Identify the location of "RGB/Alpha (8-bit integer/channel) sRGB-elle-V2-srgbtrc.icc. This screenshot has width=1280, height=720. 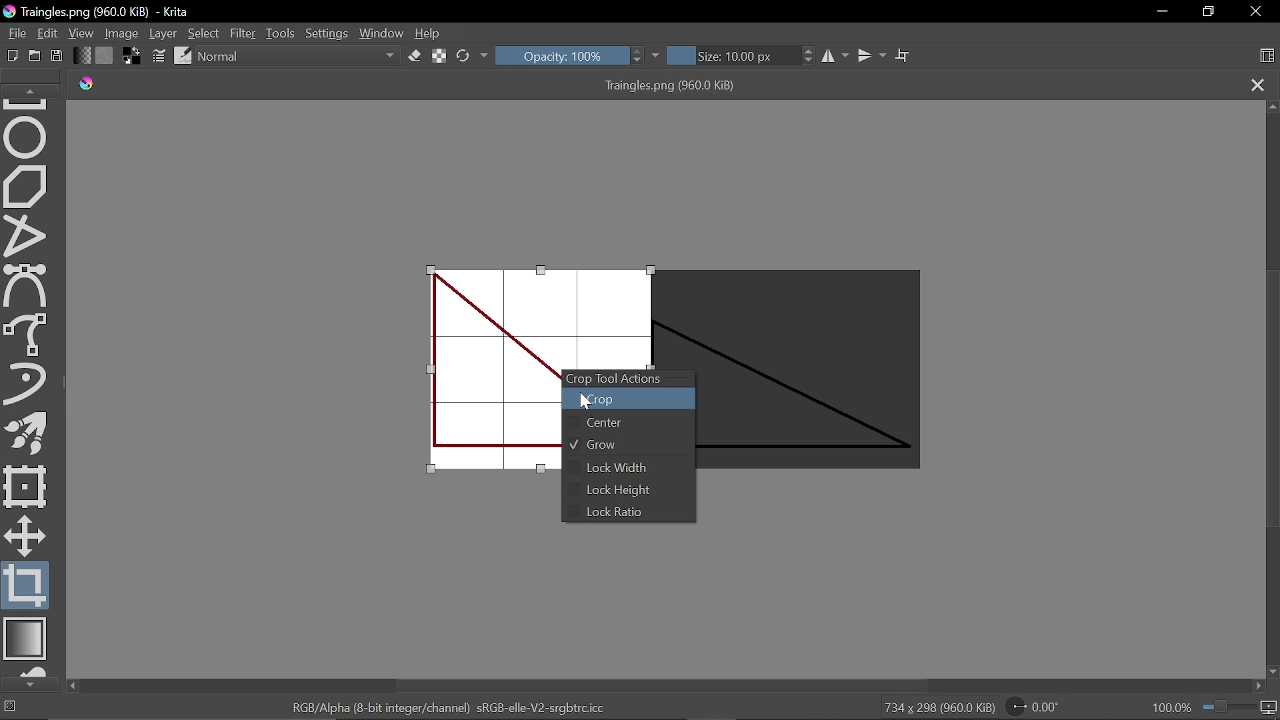
(448, 707).